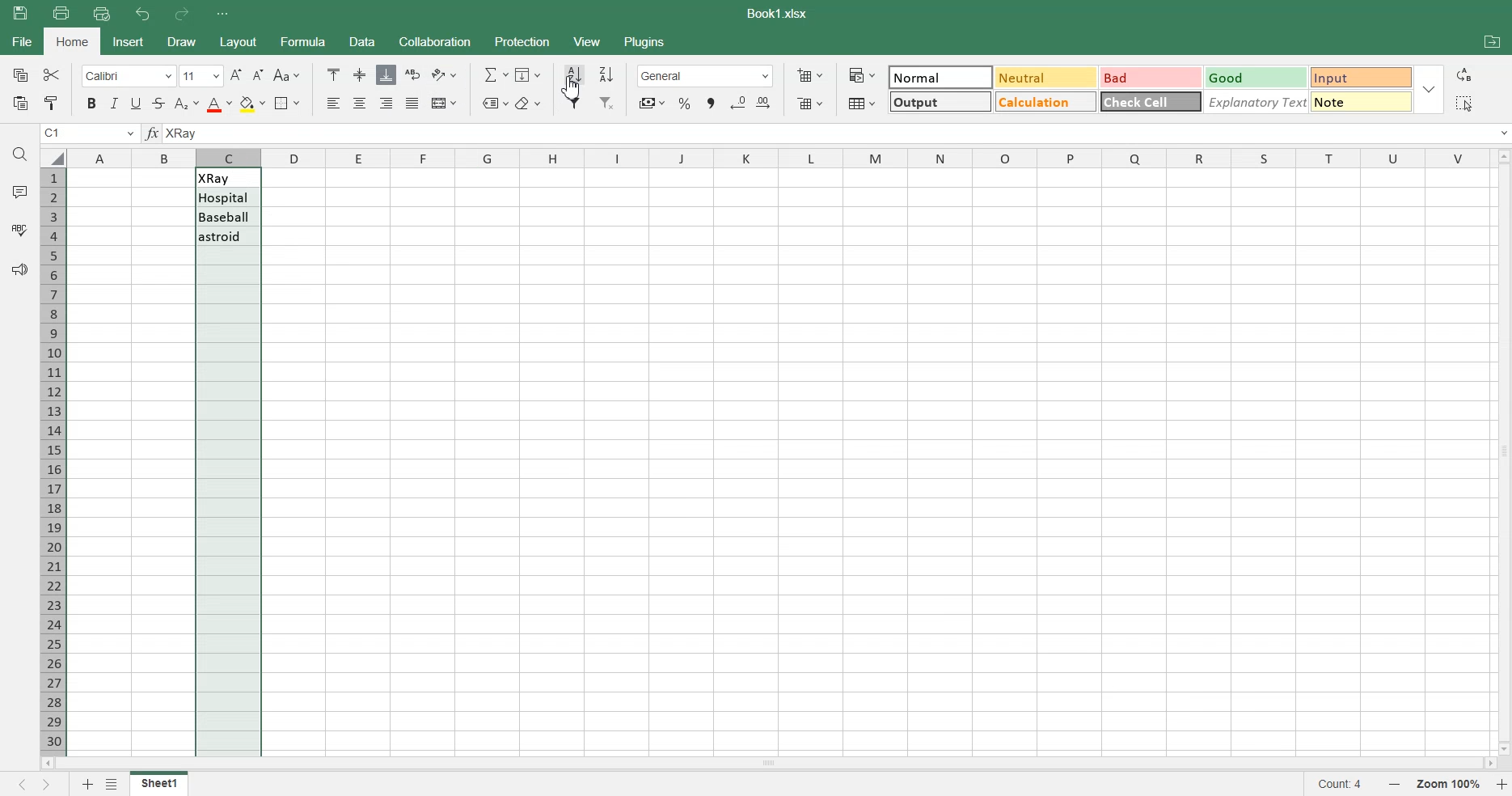 This screenshot has height=796, width=1512. I want to click on Bad, so click(1143, 74).